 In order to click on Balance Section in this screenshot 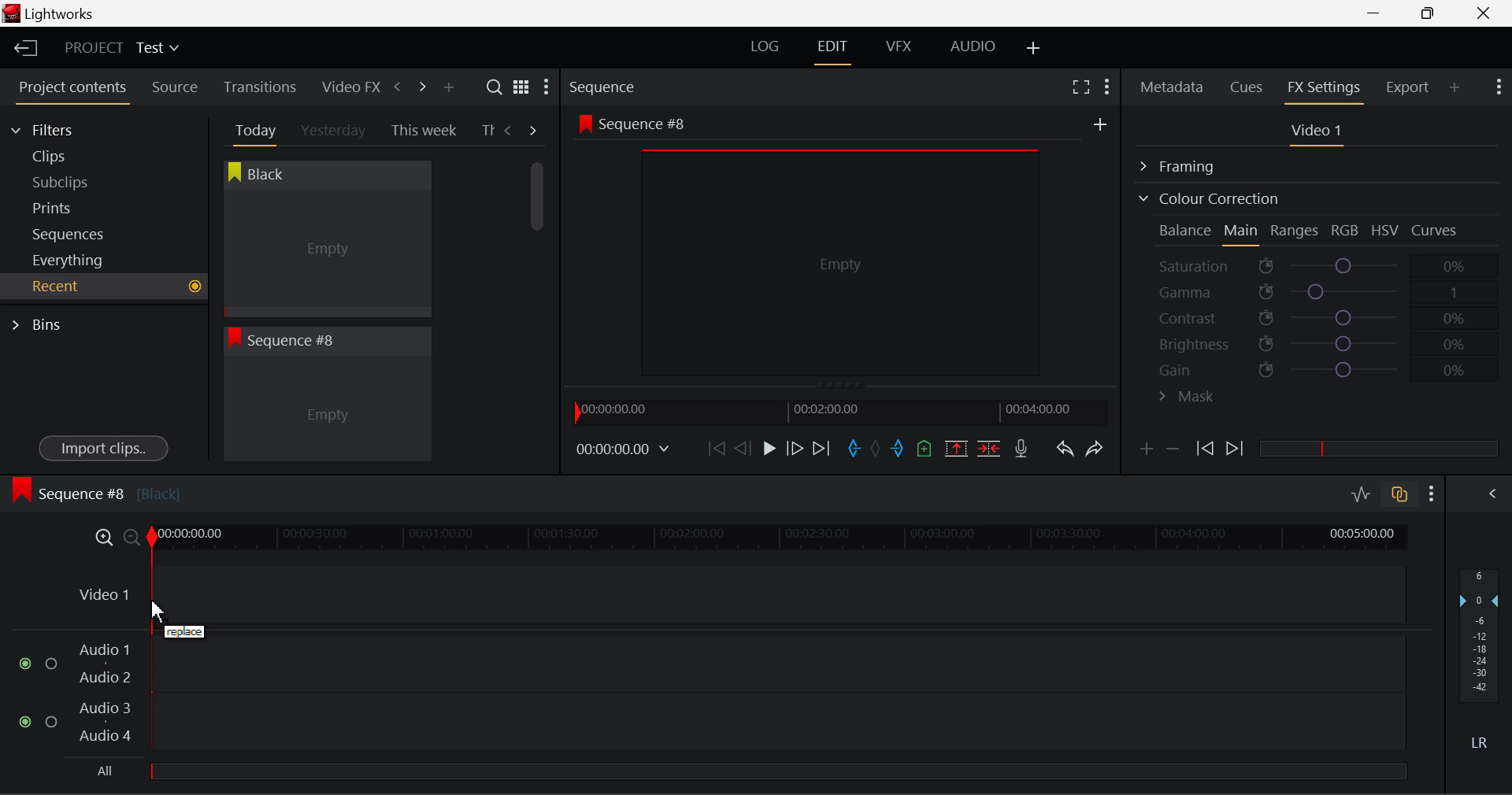, I will do `click(1187, 230)`.